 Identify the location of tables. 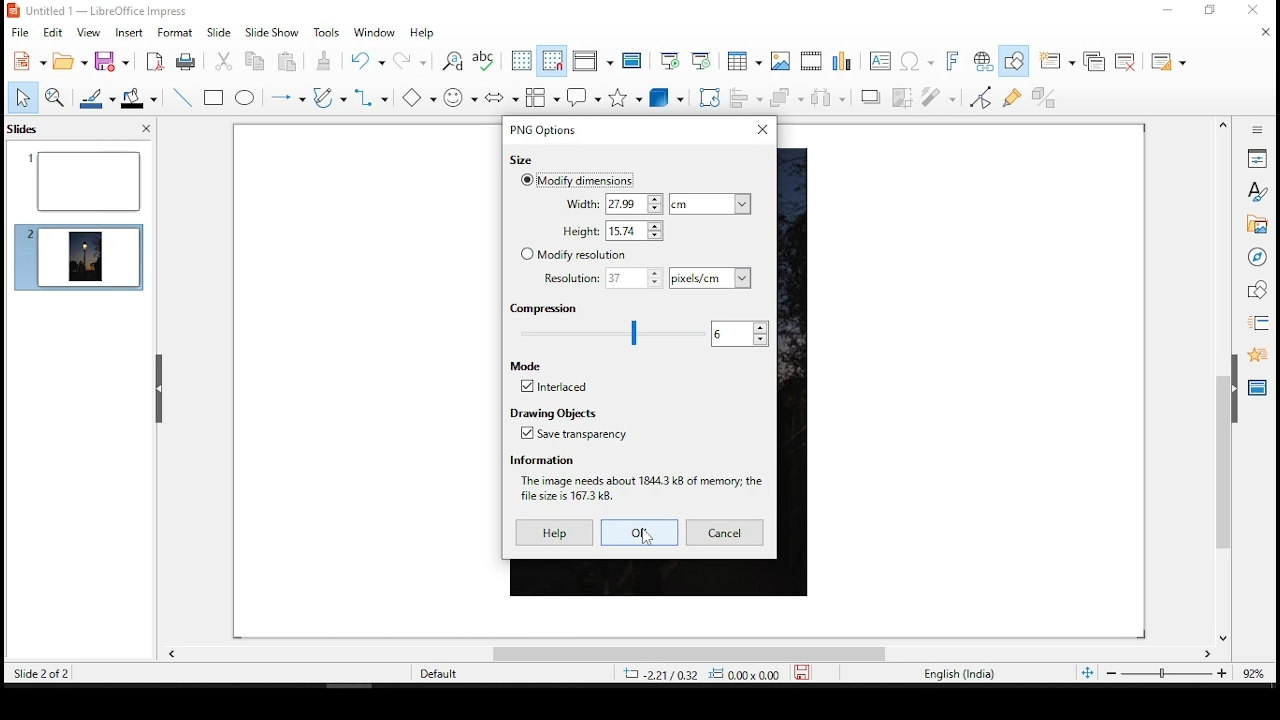
(743, 59).